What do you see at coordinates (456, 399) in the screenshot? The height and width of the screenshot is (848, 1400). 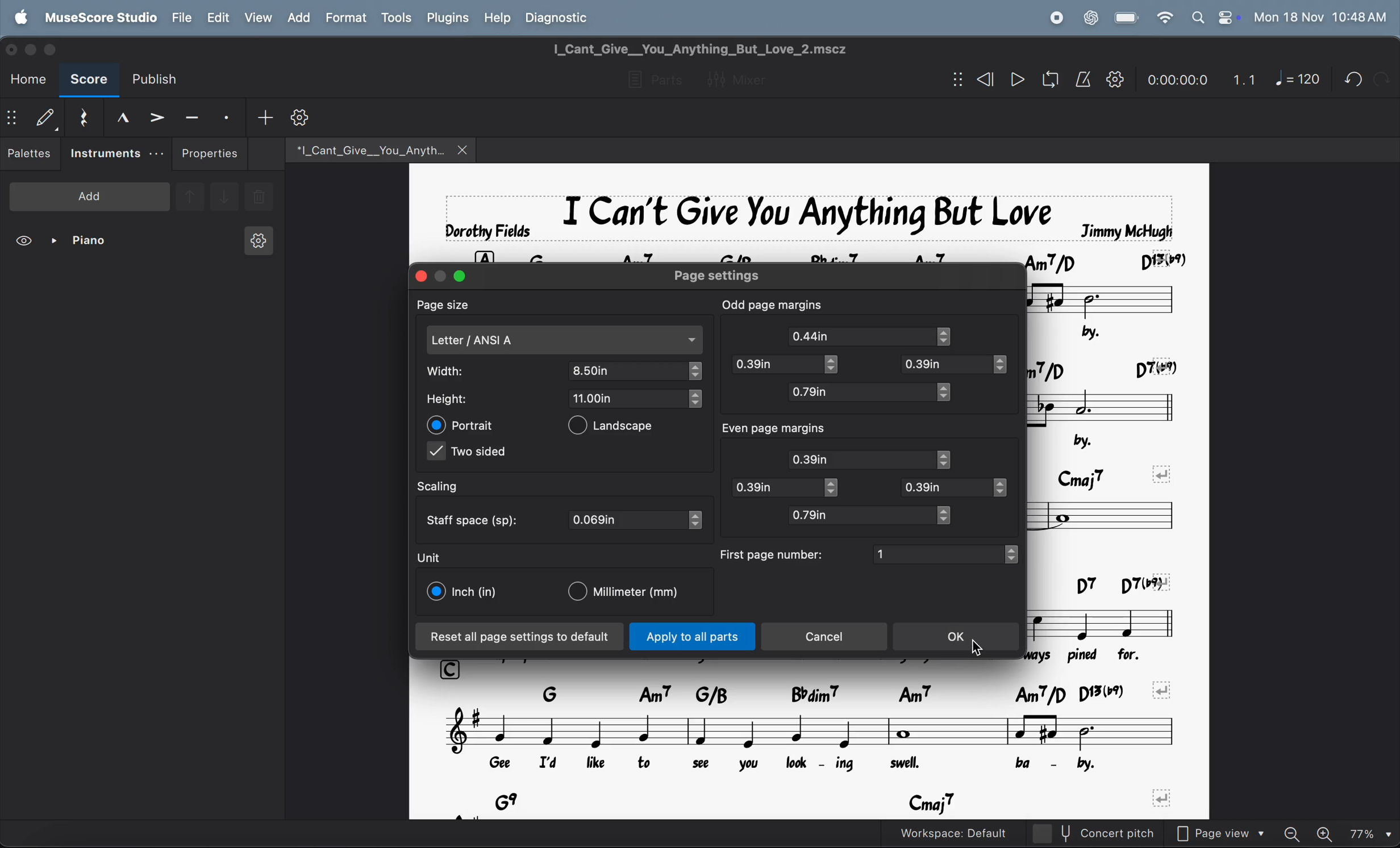 I see `height` at bounding box center [456, 399].